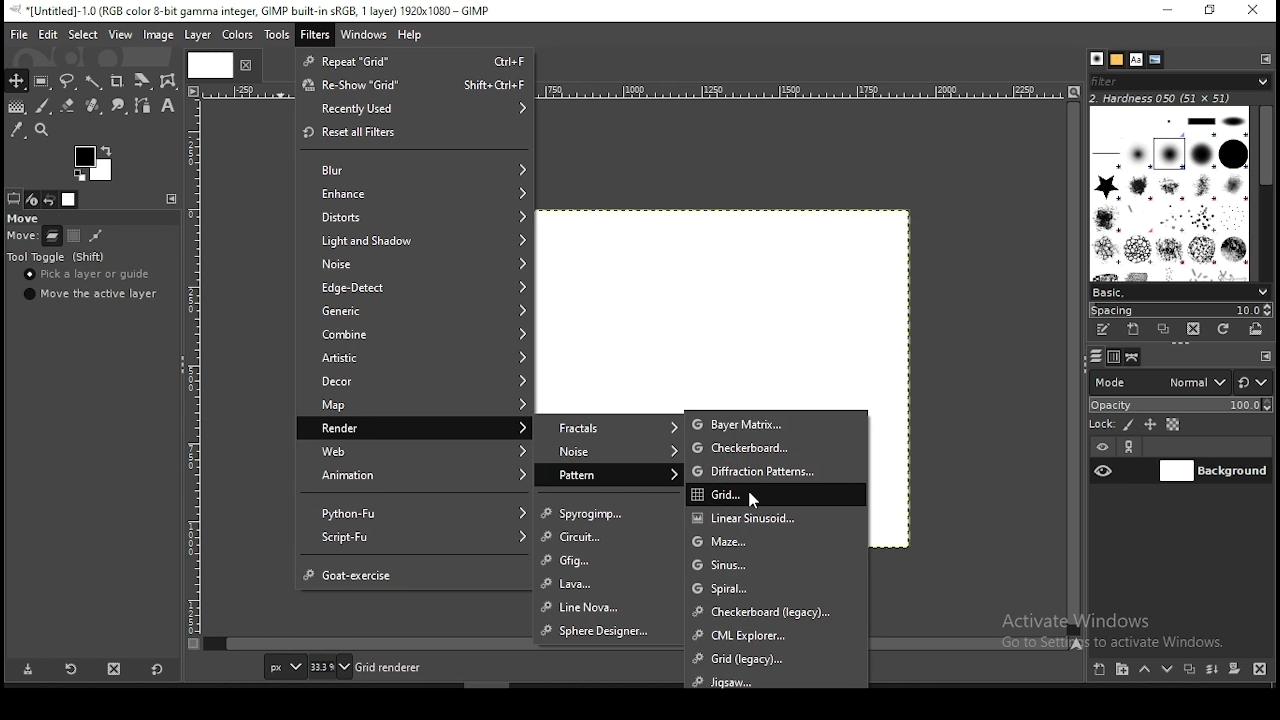  What do you see at coordinates (414, 539) in the screenshot?
I see `script Fu` at bounding box center [414, 539].